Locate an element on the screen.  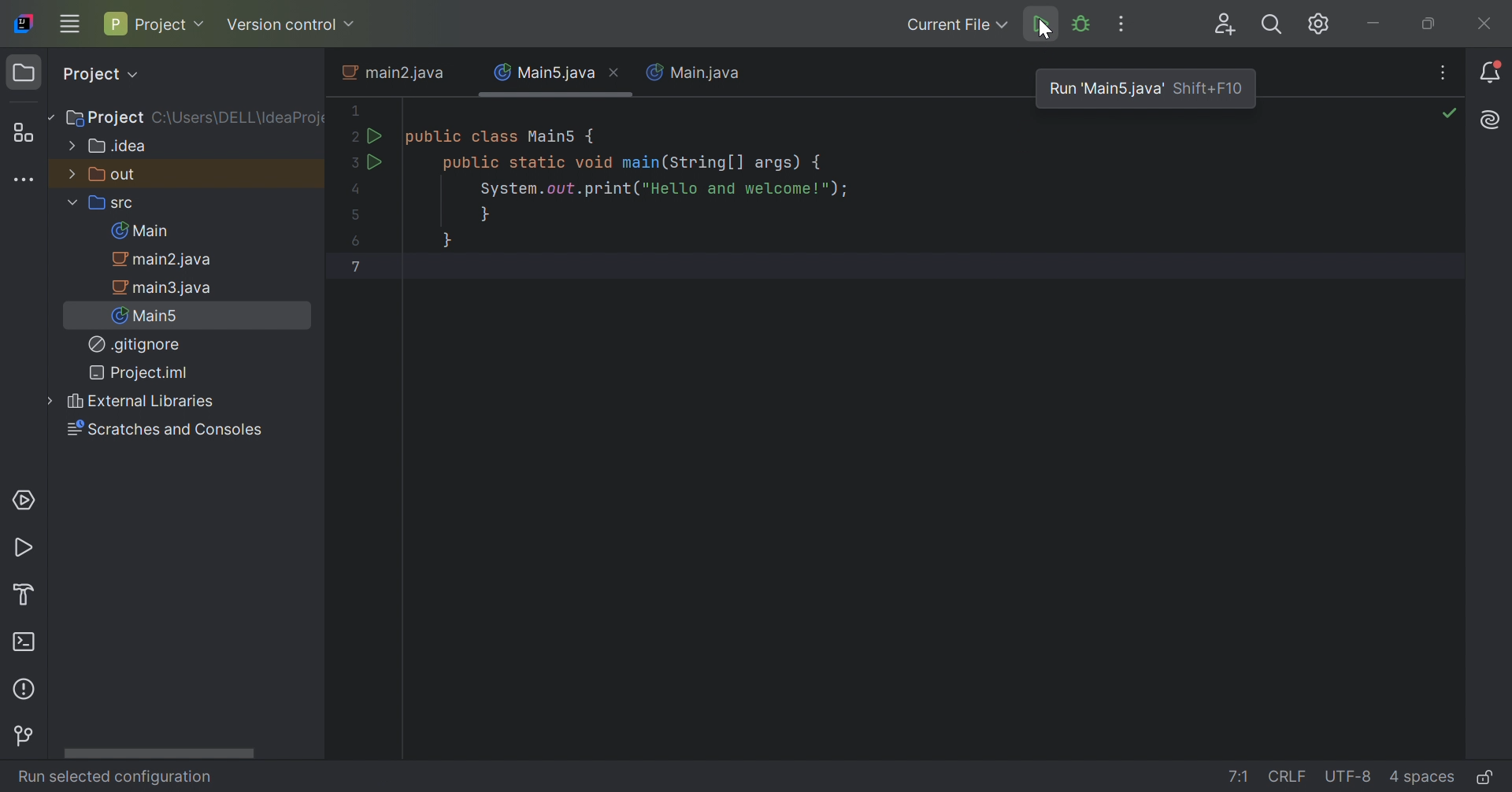
Project is located at coordinates (154, 23).